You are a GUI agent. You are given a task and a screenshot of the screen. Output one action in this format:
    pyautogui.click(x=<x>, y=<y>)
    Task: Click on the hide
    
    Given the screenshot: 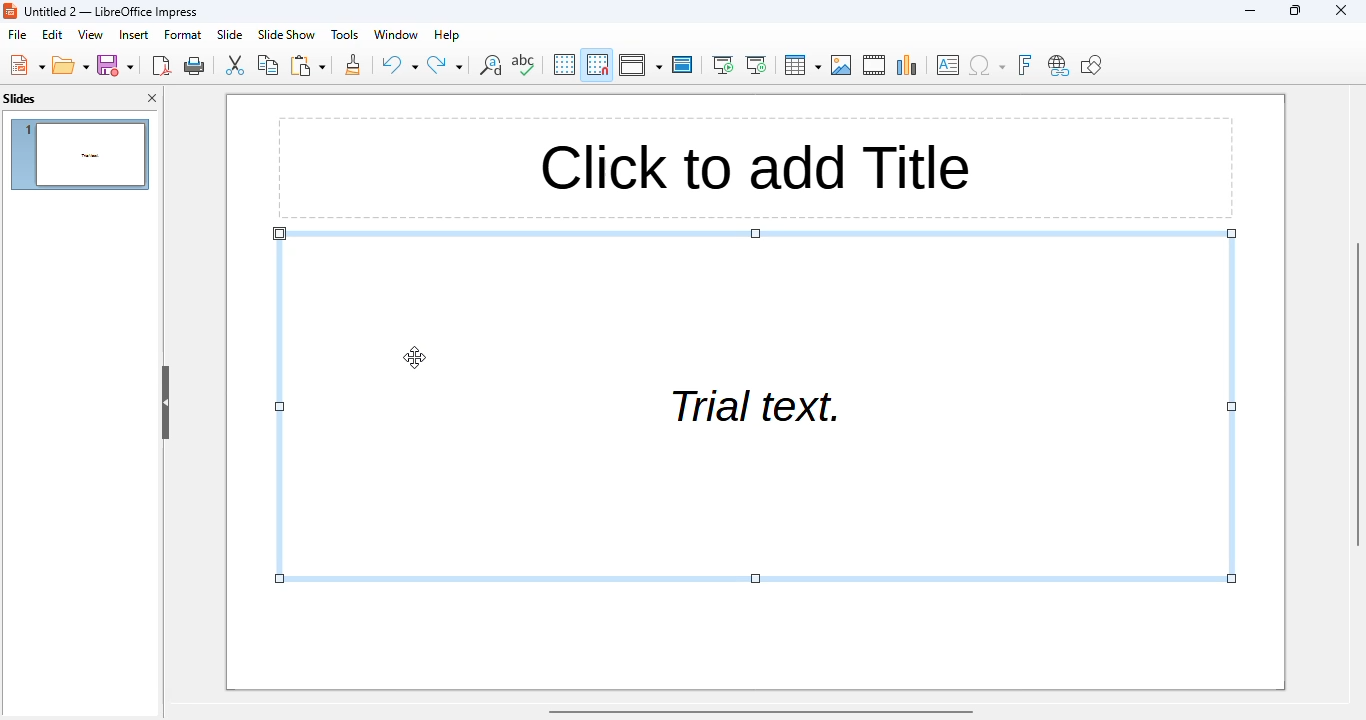 What is the action you would take?
    pyautogui.click(x=166, y=403)
    